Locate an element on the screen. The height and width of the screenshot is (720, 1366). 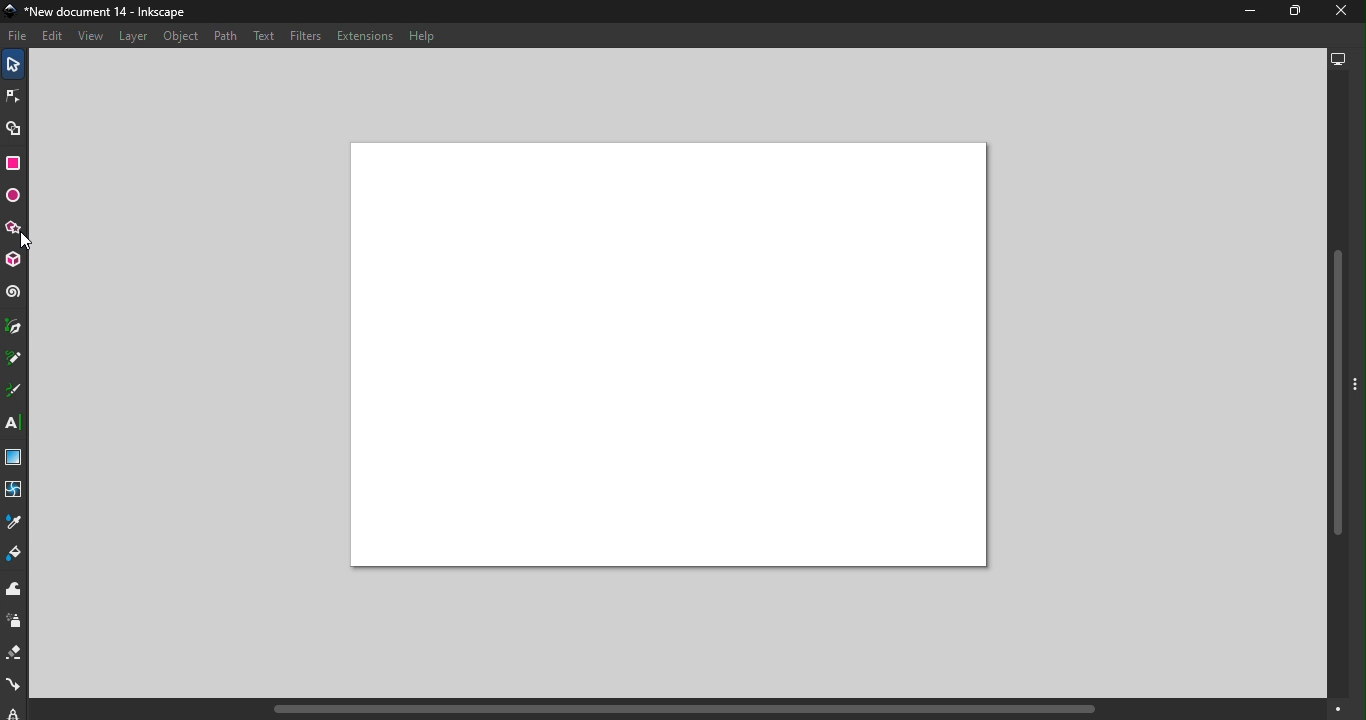
Spray tool is located at coordinates (15, 621).